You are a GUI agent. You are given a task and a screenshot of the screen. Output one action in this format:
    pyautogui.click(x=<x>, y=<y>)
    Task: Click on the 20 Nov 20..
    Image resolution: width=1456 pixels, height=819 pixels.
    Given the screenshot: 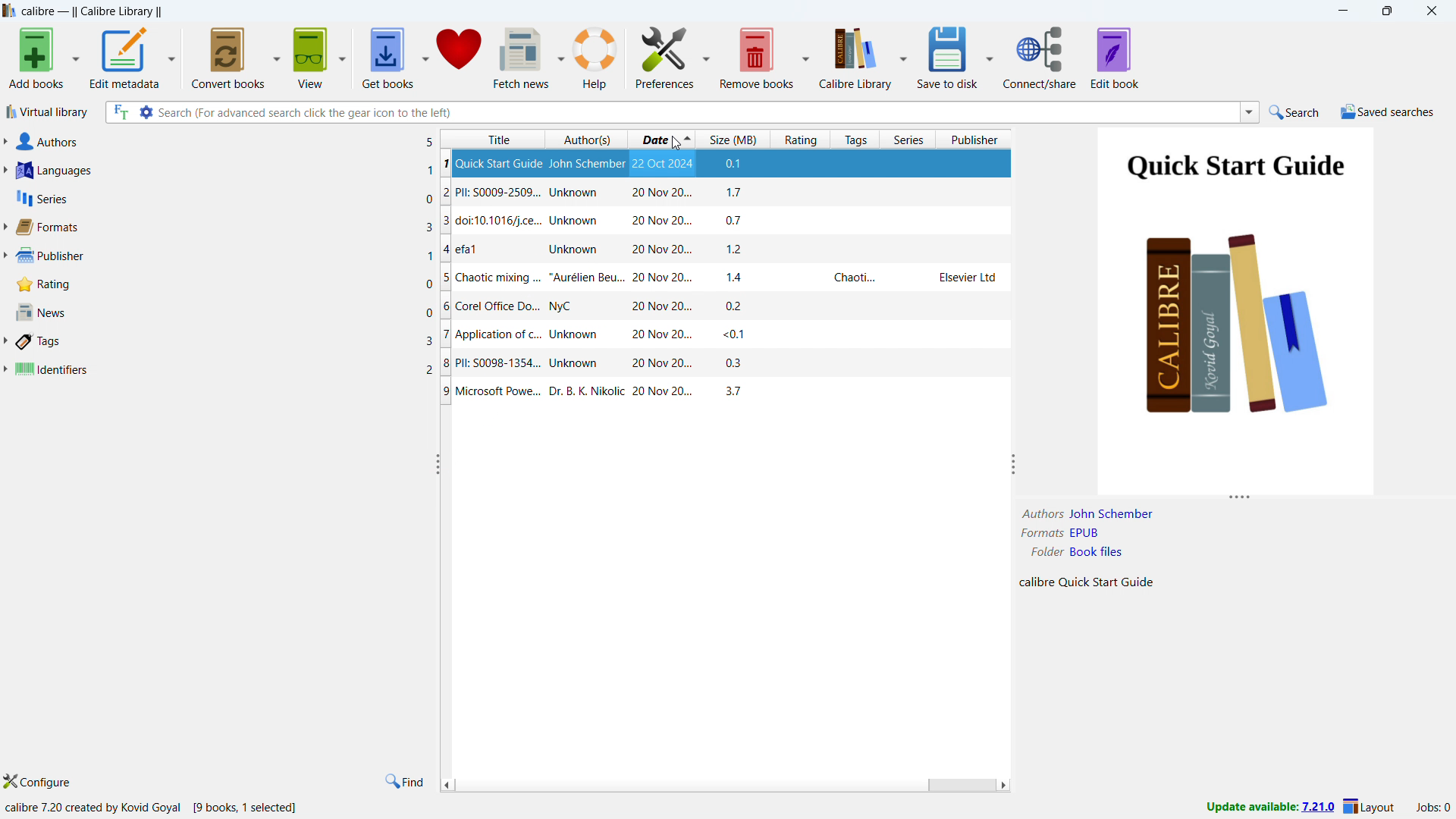 What is the action you would take?
    pyautogui.click(x=664, y=306)
    